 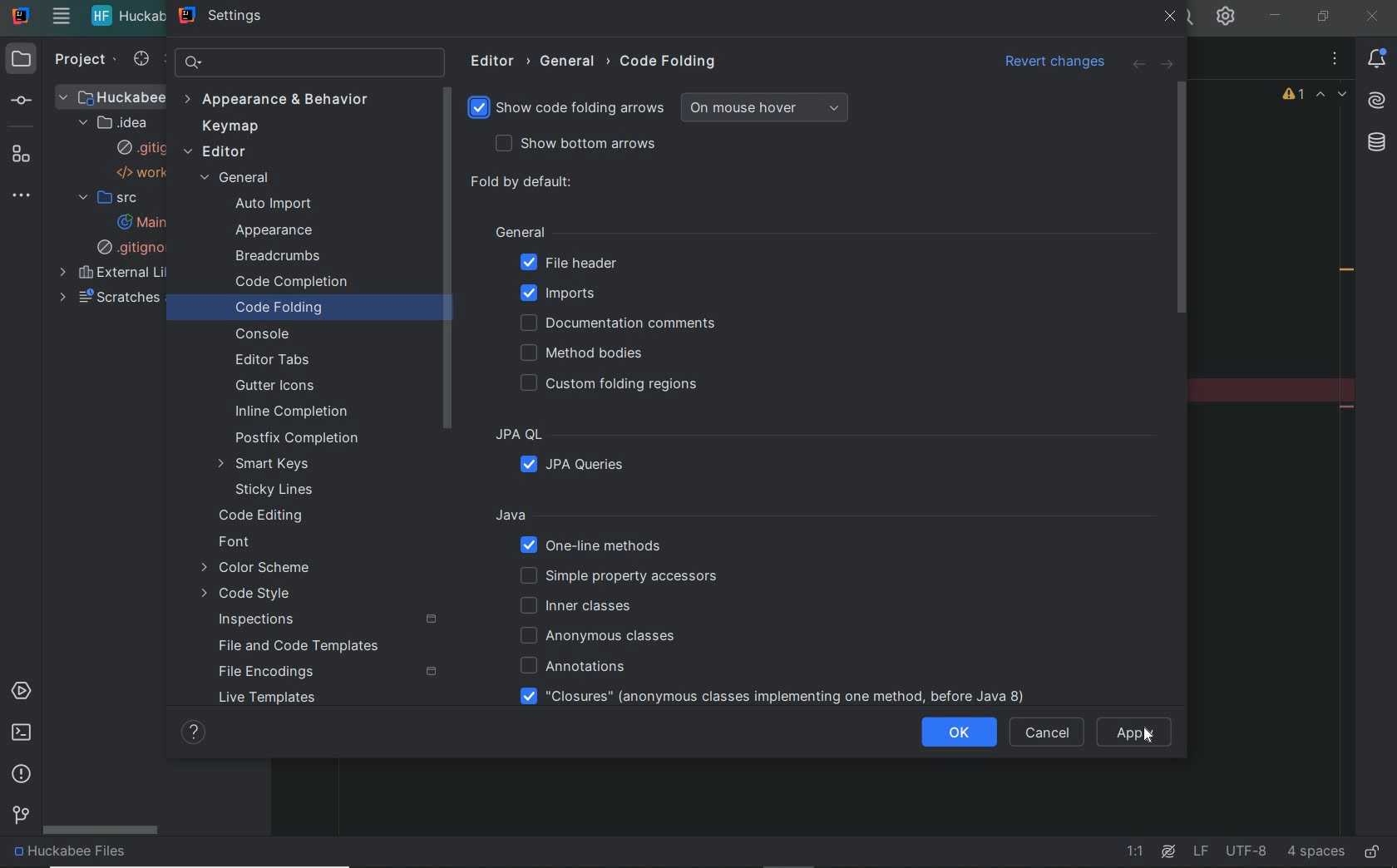 What do you see at coordinates (151, 220) in the screenshot?
I see `main` at bounding box center [151, 220].